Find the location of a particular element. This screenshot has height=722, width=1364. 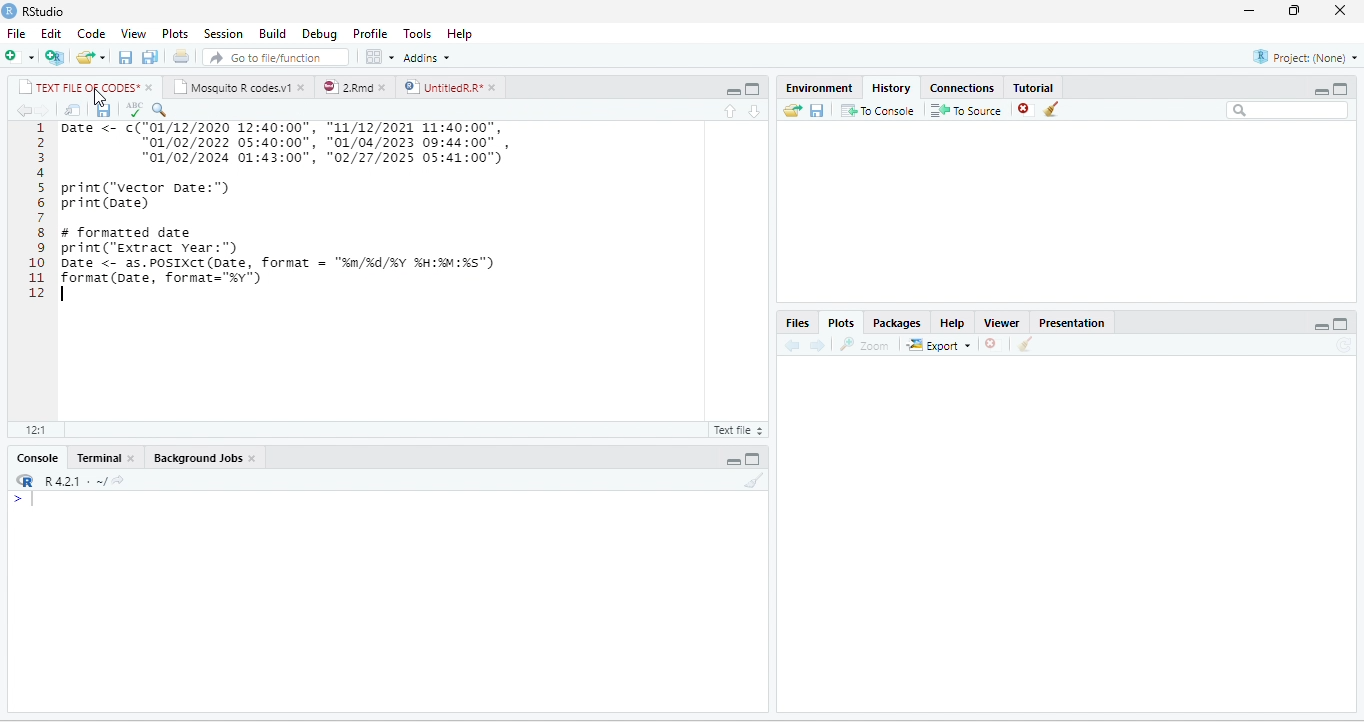

Background Jobs is located at coordinates (196, 458).